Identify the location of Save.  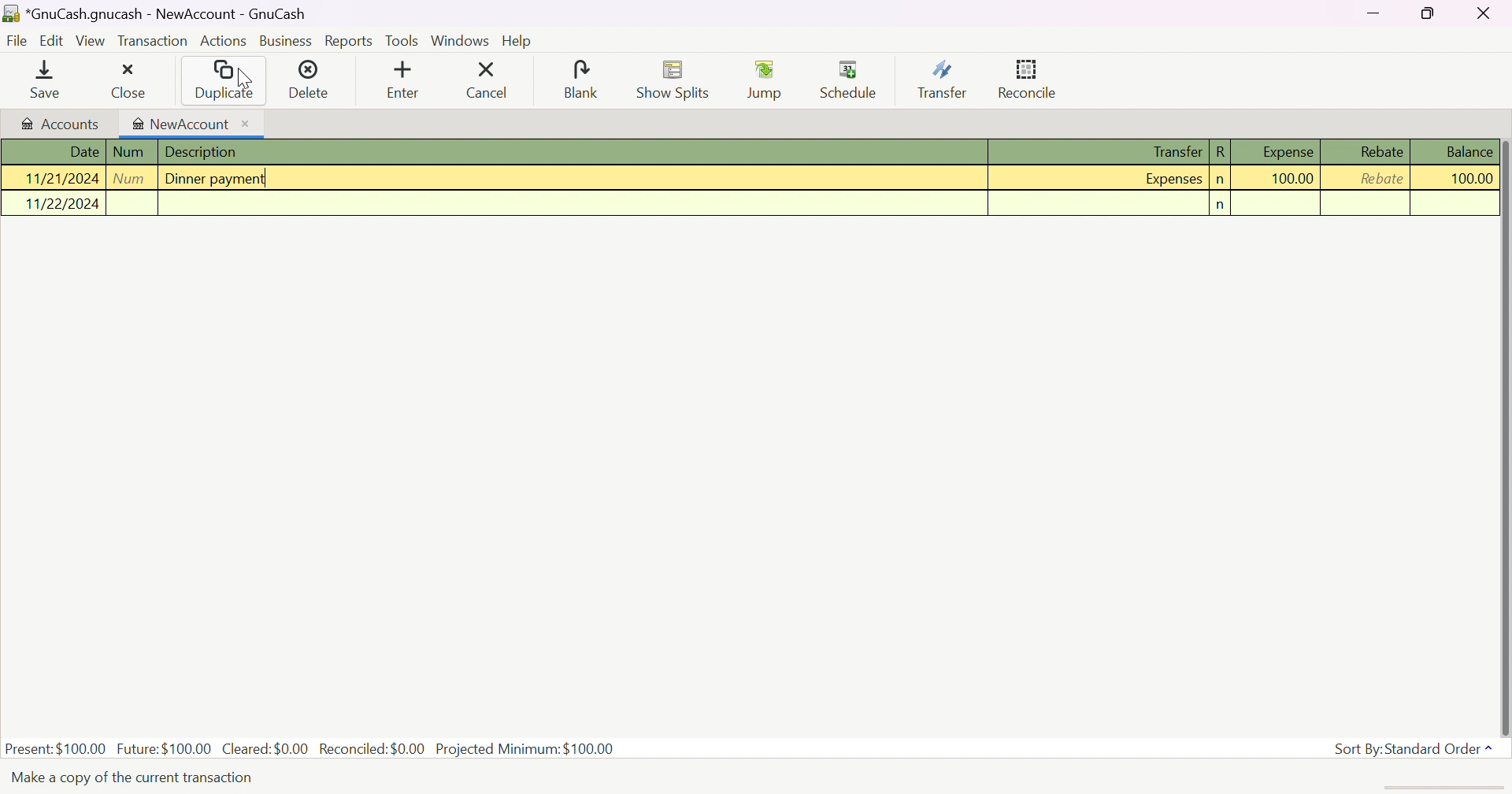
(39, 82).